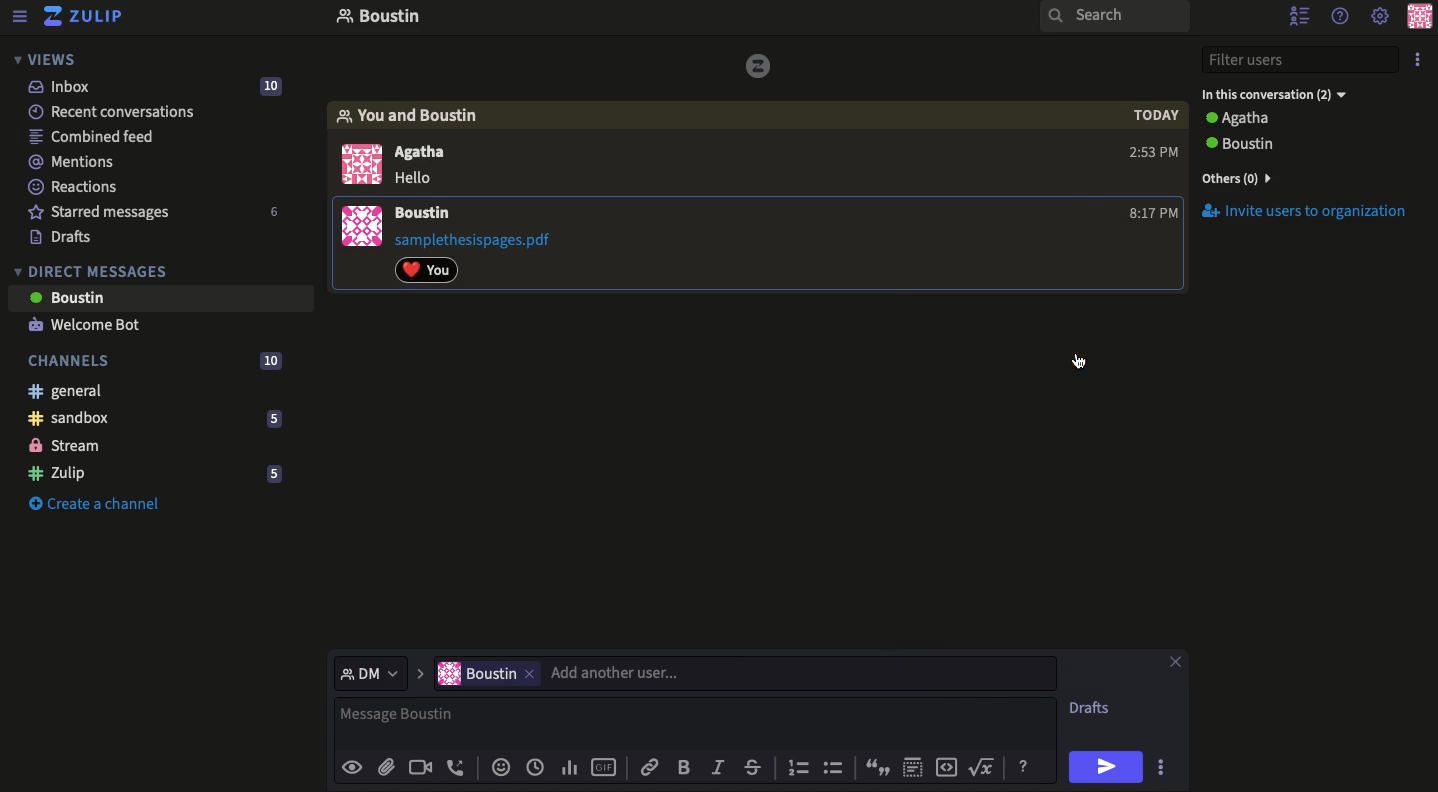  Describe the element at coordinates (717, 766) in the screenshot. I see `Italics` at that location.